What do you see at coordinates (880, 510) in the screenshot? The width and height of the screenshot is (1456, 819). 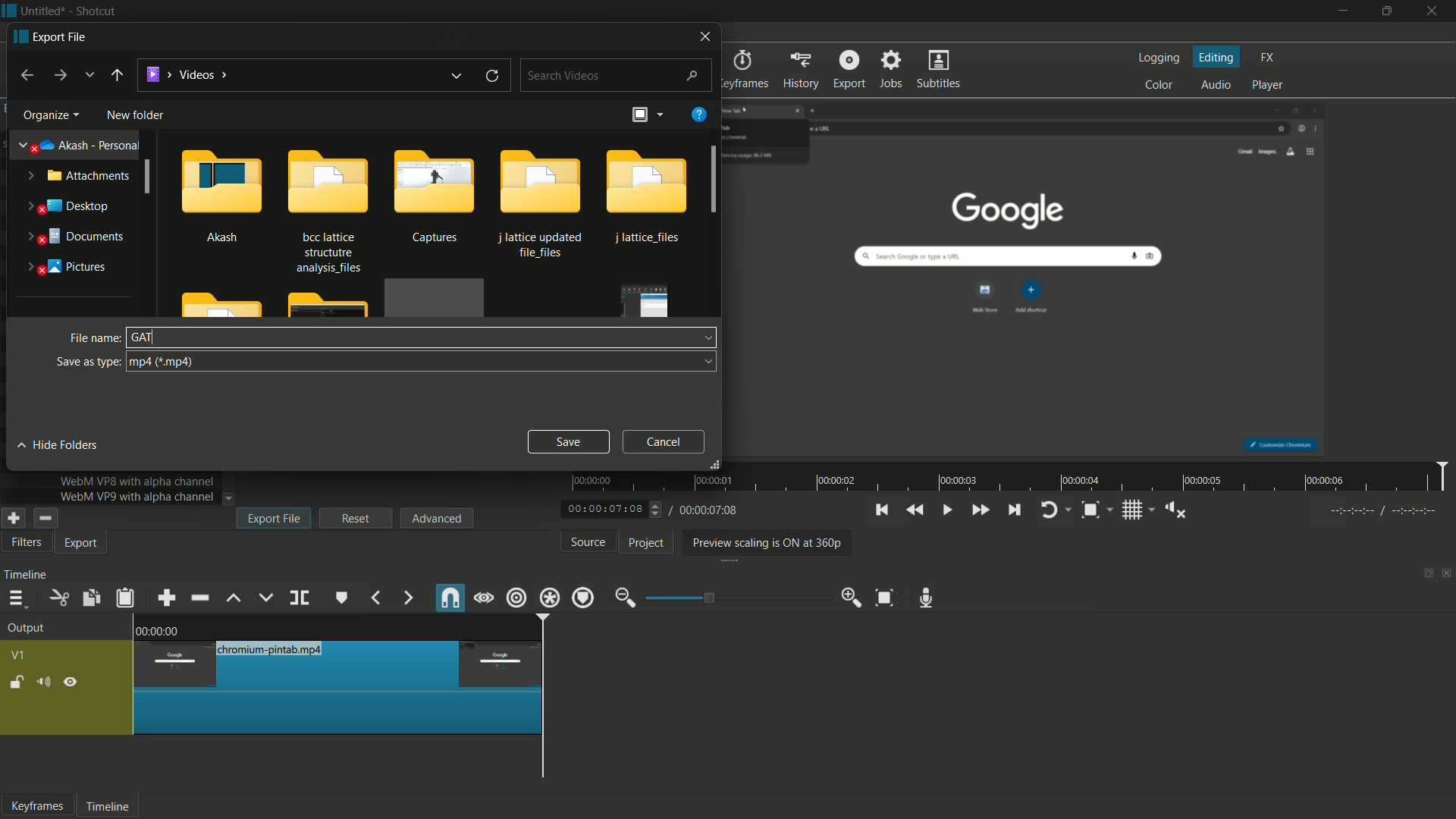 I see `skip to the previous point` at bounding box center [880, 510].